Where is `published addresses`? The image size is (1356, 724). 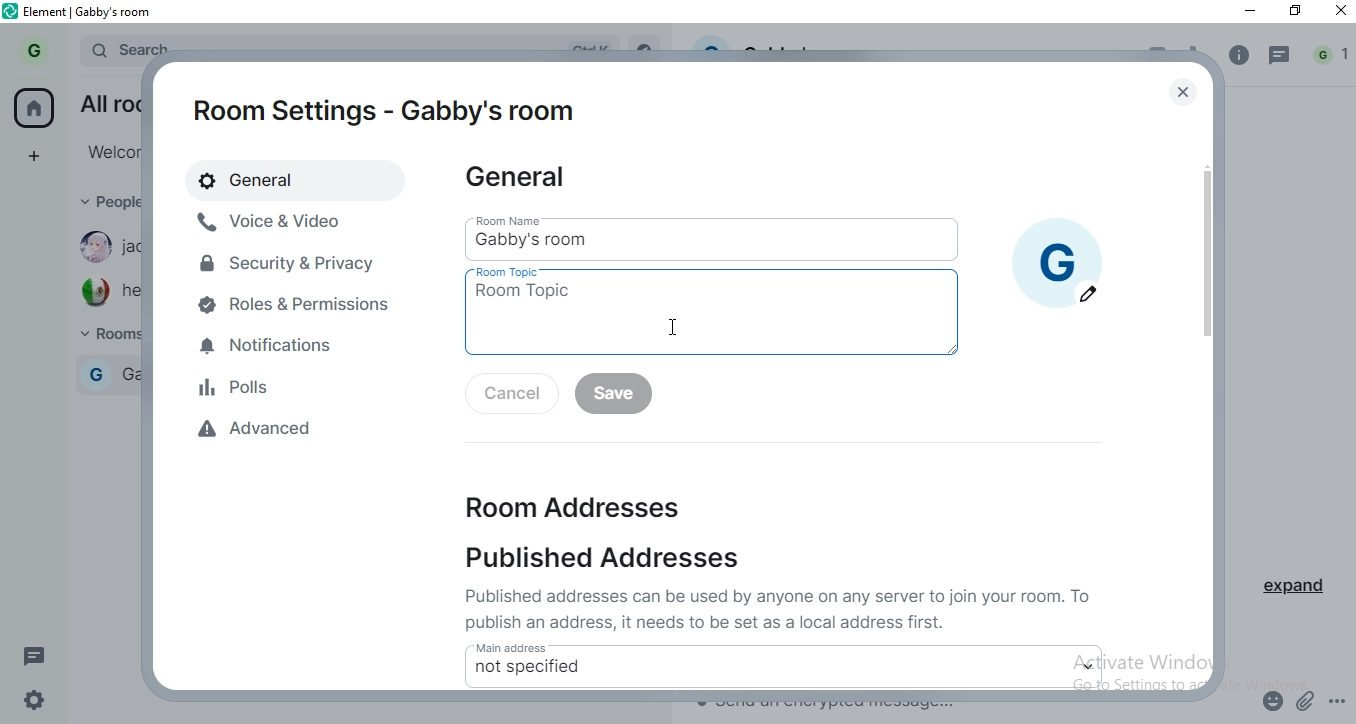
published addresses is located at coordinates (621, 560).